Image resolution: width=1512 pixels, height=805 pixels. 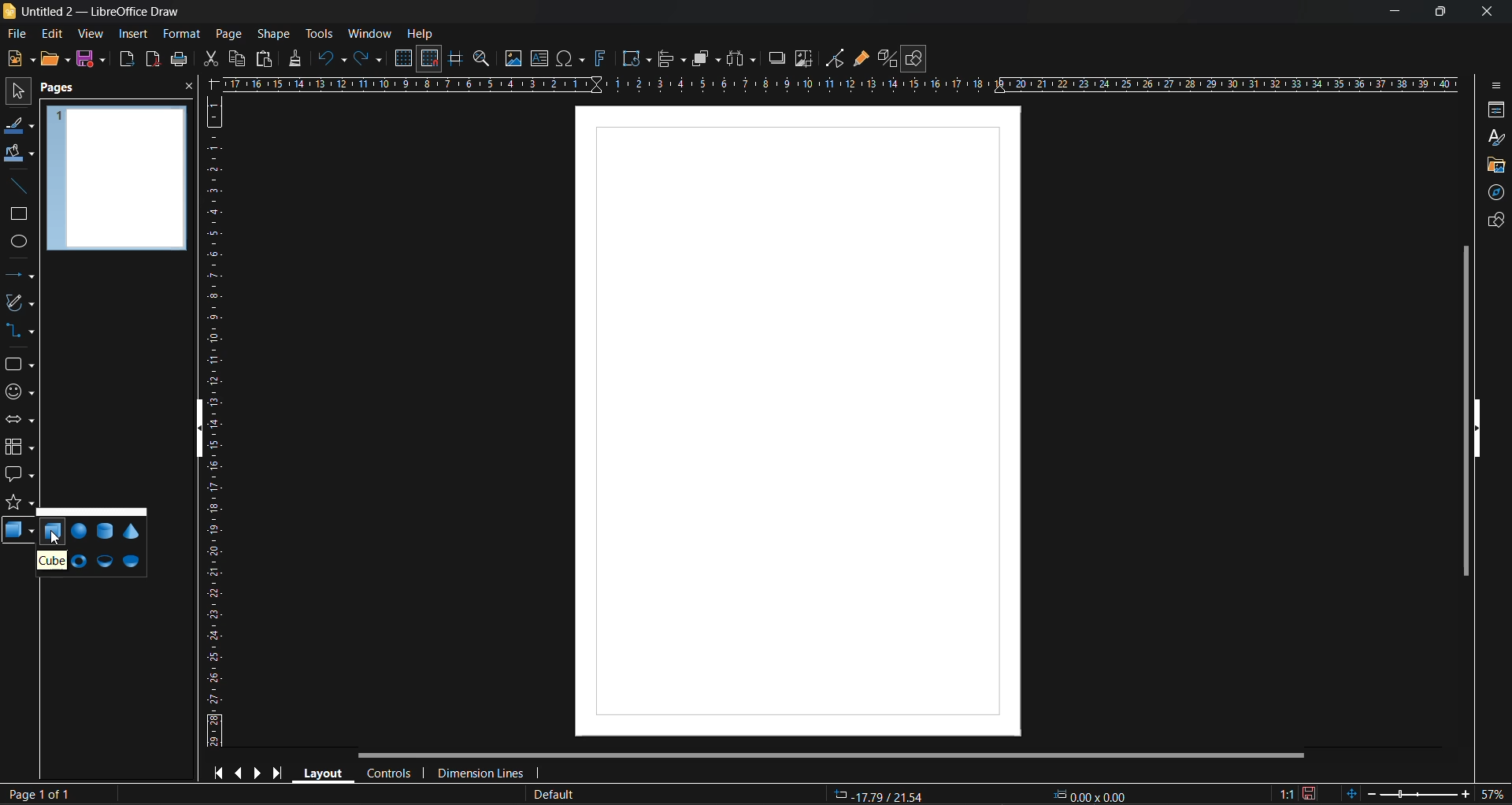 I want to click on fit to window, so click(x=1354, y=793).